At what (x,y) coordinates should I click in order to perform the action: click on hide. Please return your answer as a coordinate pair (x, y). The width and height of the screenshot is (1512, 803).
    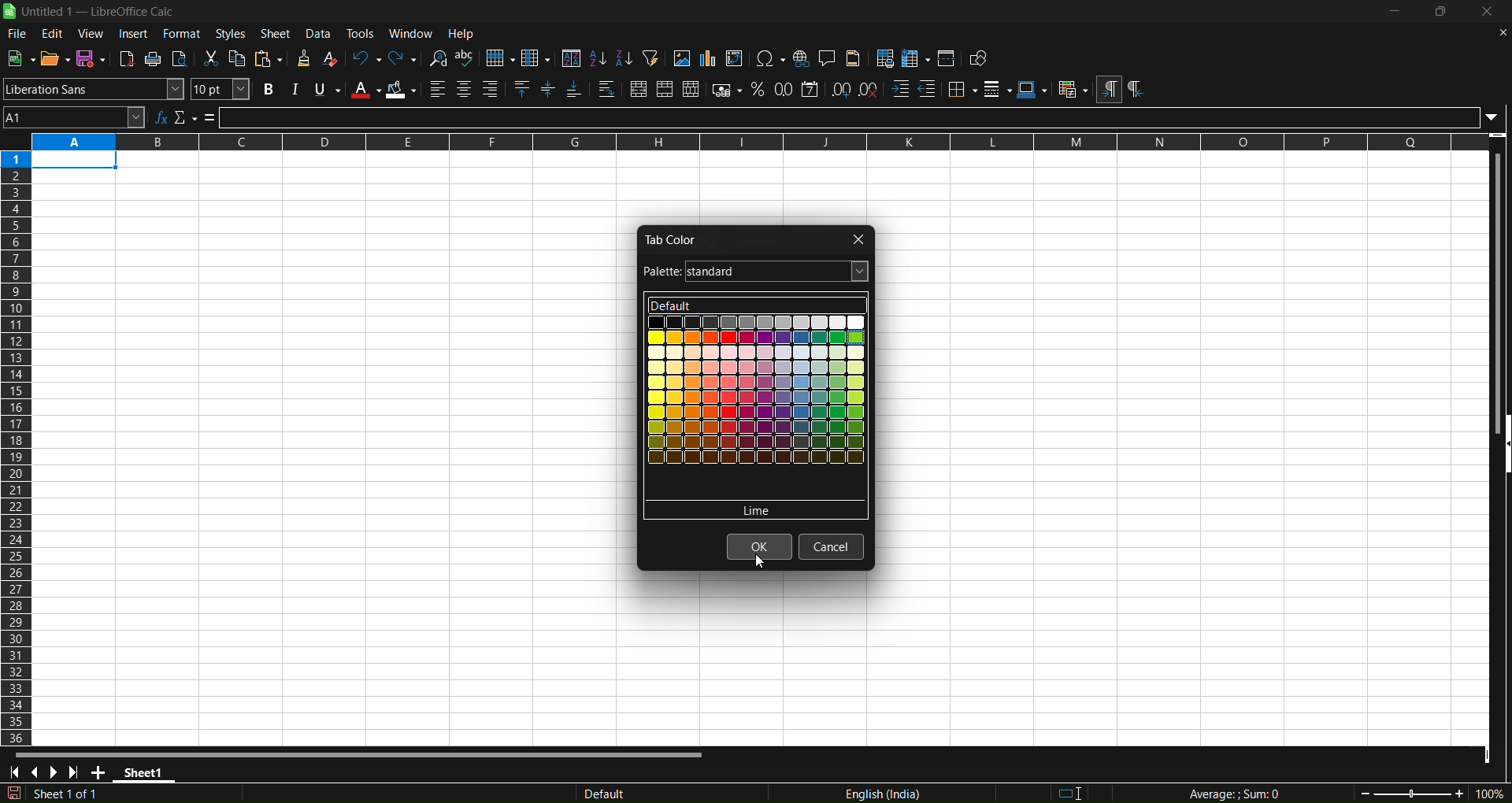
    Looking at the image, I should click on (1503, 446).